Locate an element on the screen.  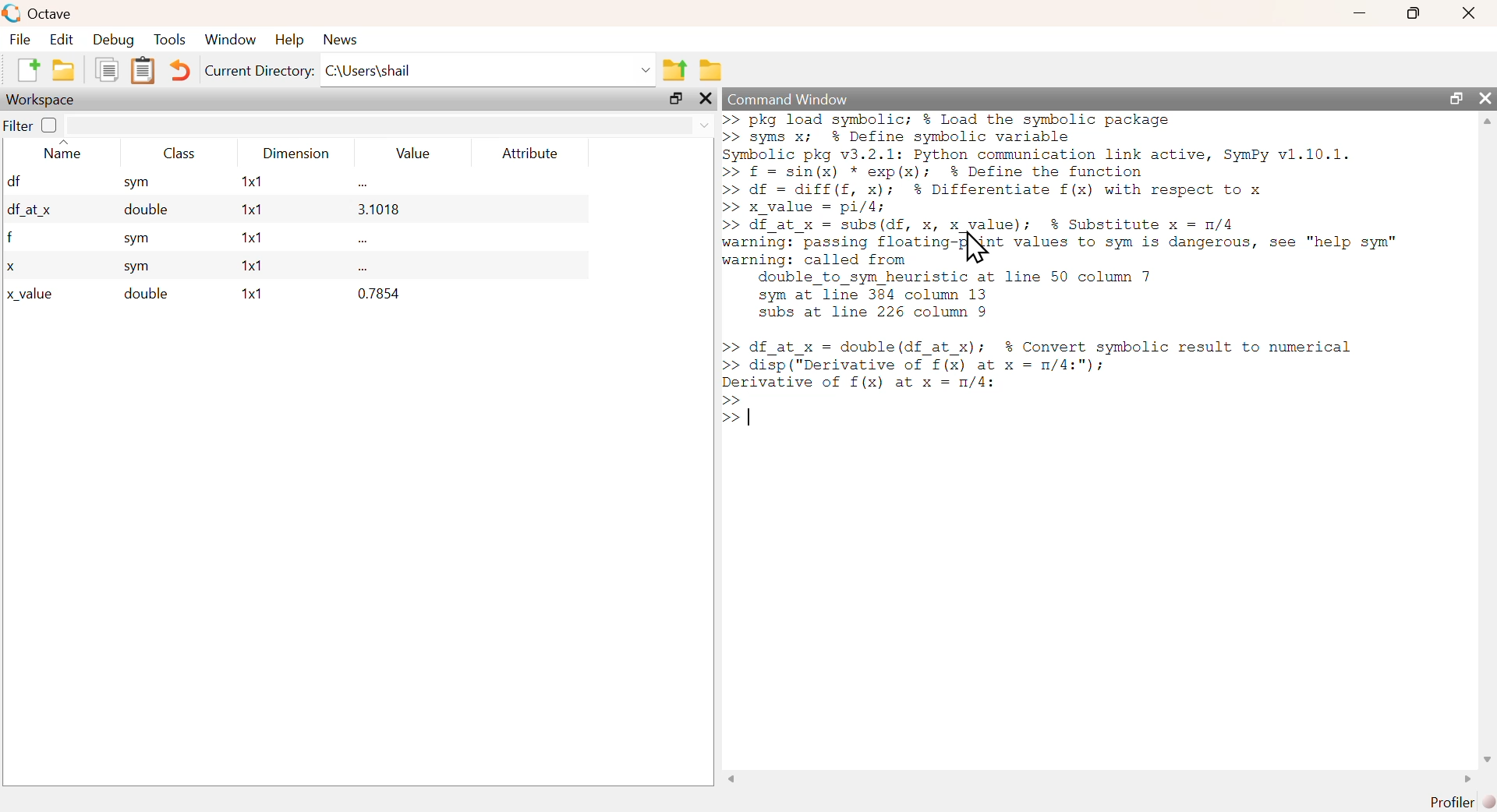
Help is located at coordinates (287, 40).